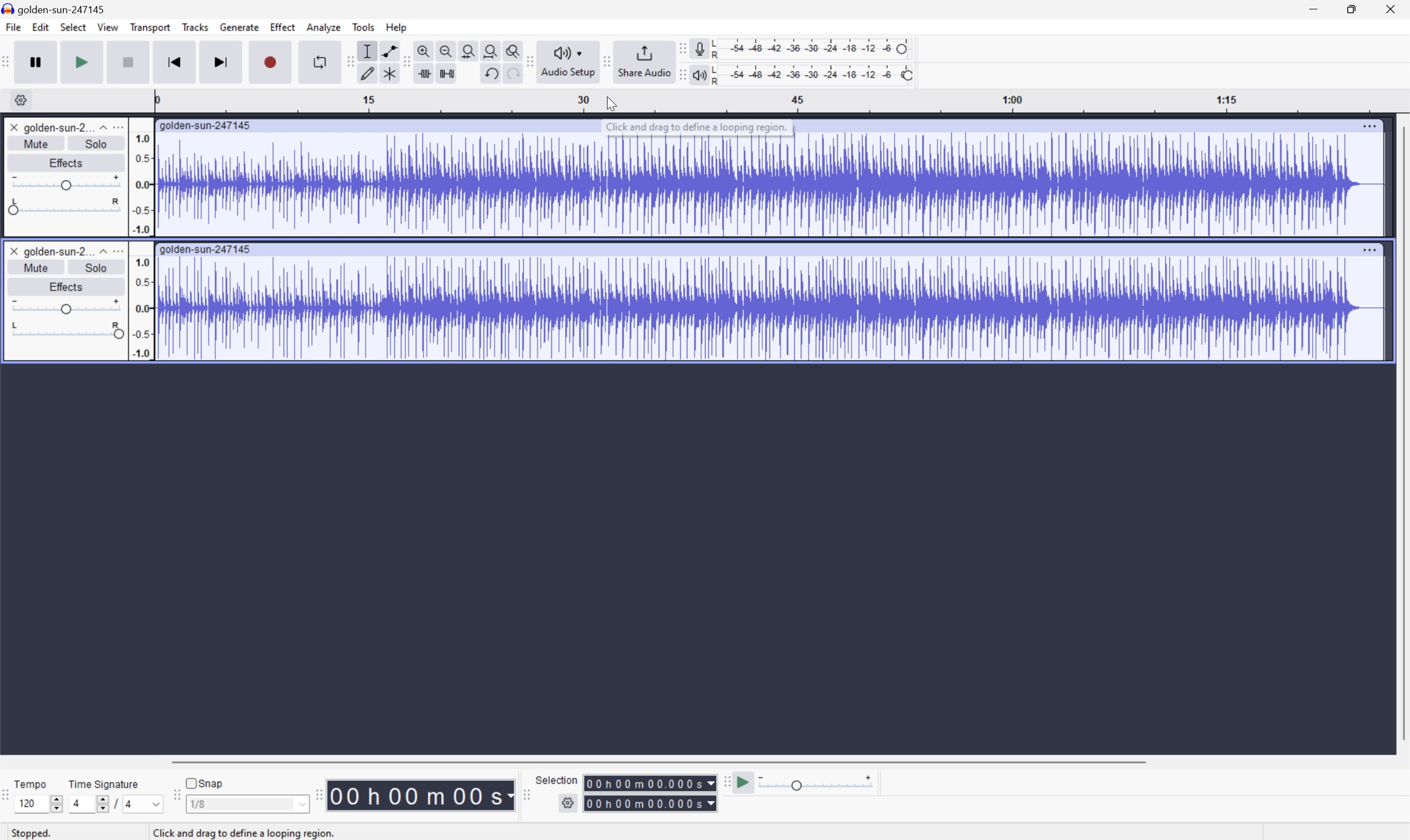 This screenshot has width=1410, height=840. What do you see at coordinates (75, 29) in the screenshot?
I see `Select` at bounding box center [75, 29].